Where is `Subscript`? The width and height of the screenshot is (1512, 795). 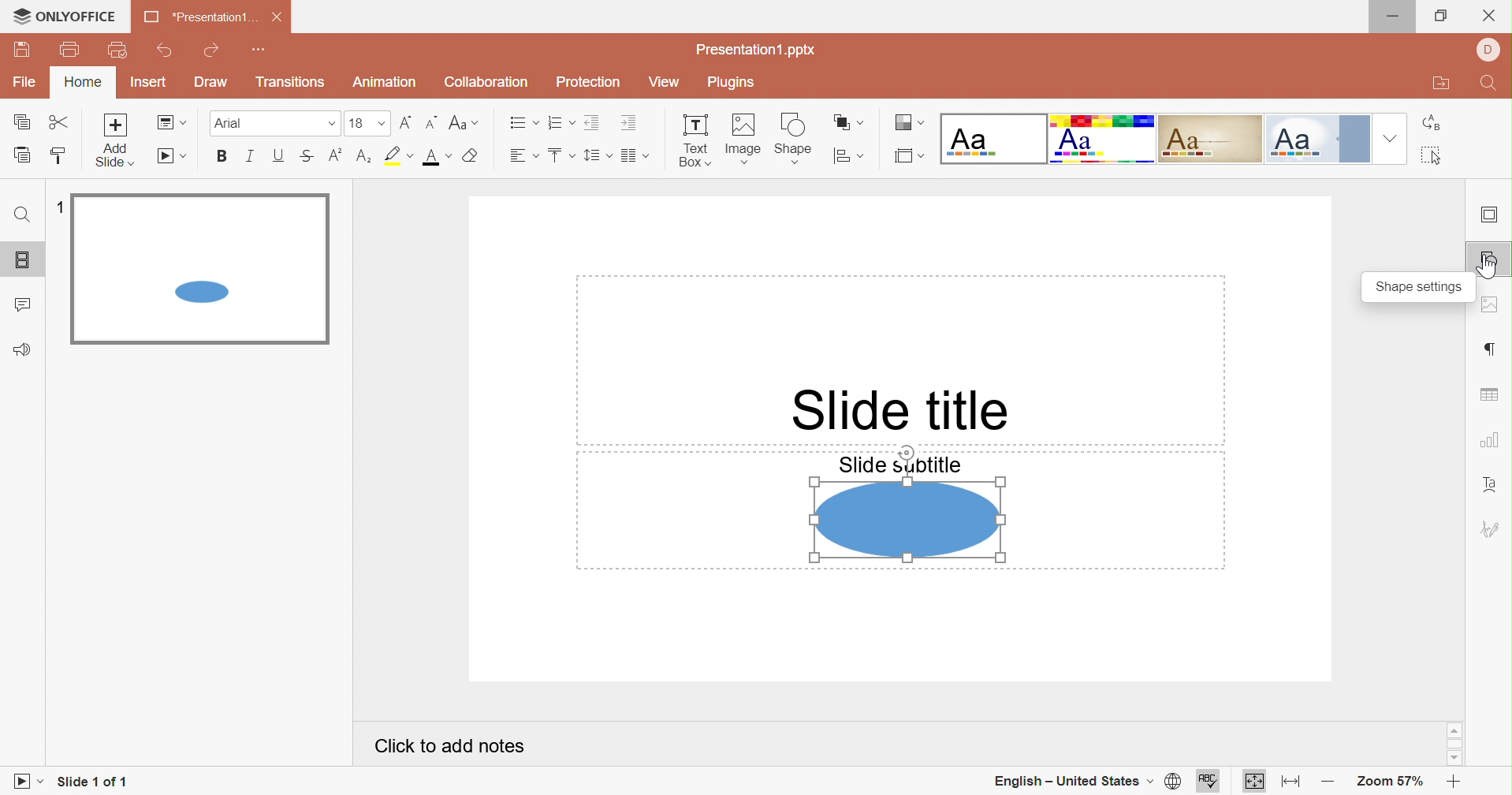
Subscript is located at coordinates (364, 156).